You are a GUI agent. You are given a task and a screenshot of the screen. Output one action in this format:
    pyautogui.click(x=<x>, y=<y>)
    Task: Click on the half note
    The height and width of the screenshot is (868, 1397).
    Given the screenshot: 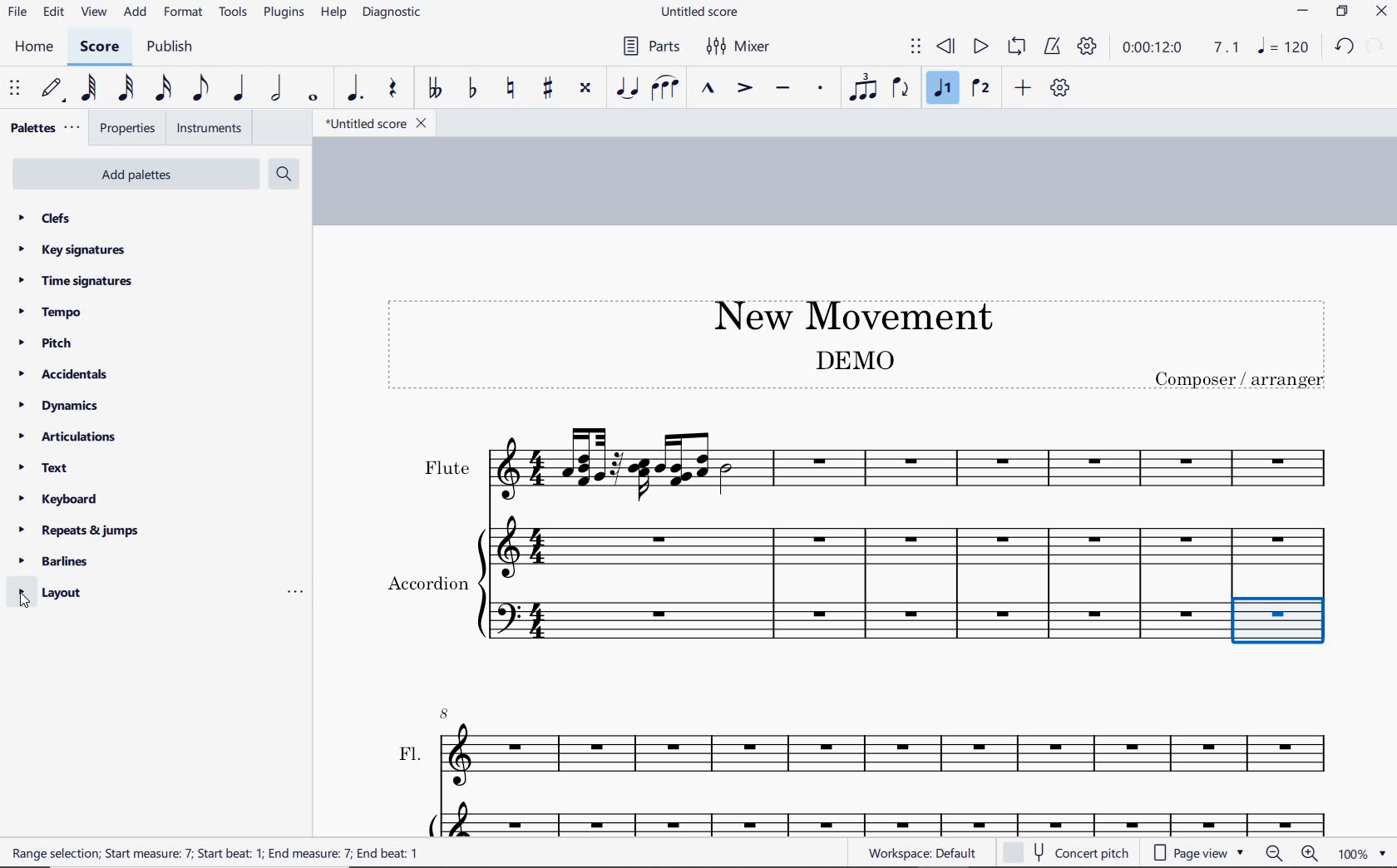 What is the action you would take?
    pyautogui.click(x=276, y=89)
    